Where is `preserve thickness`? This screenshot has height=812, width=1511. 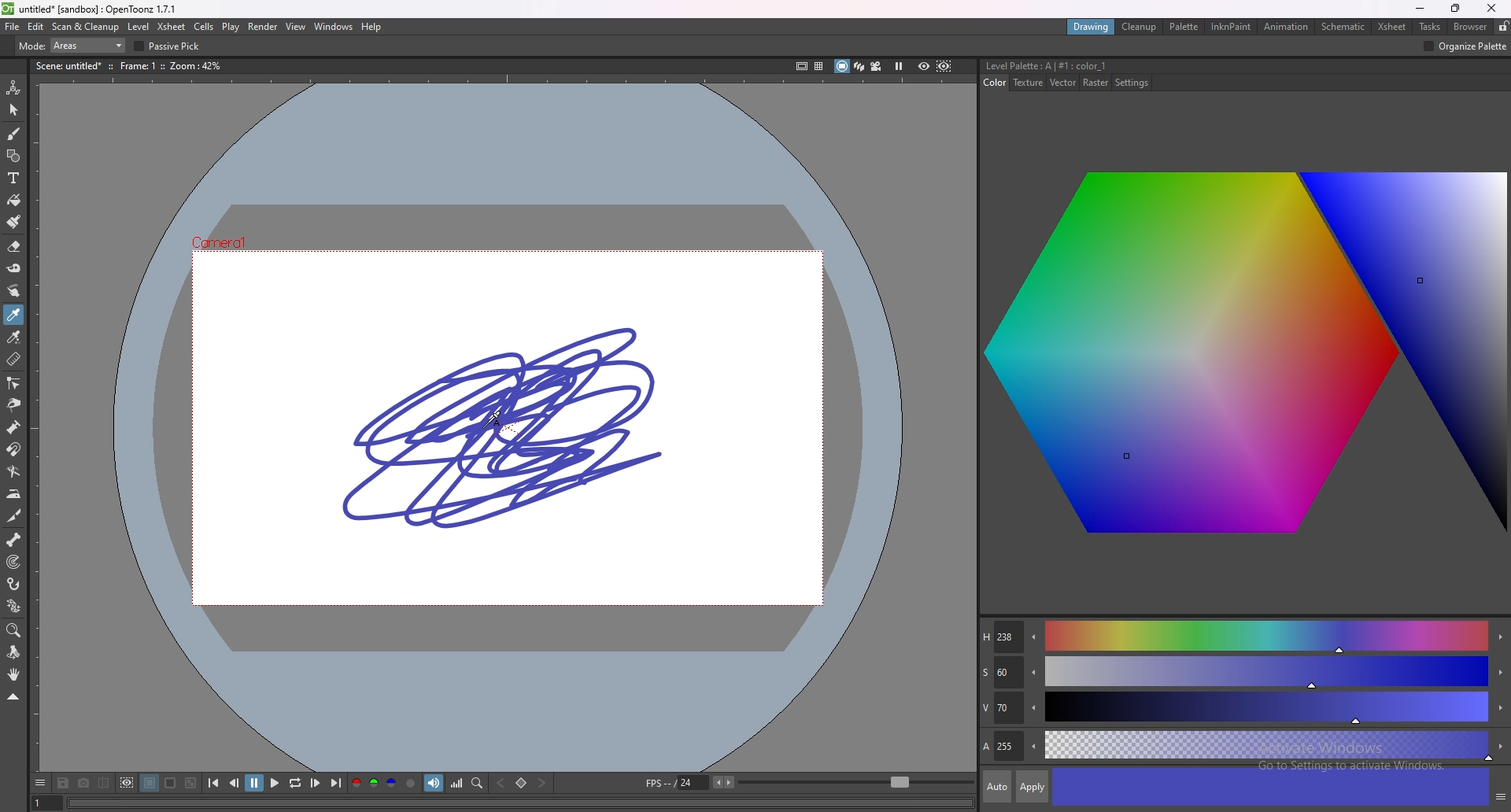
preserve thickness is located at coordinates (463, 46).